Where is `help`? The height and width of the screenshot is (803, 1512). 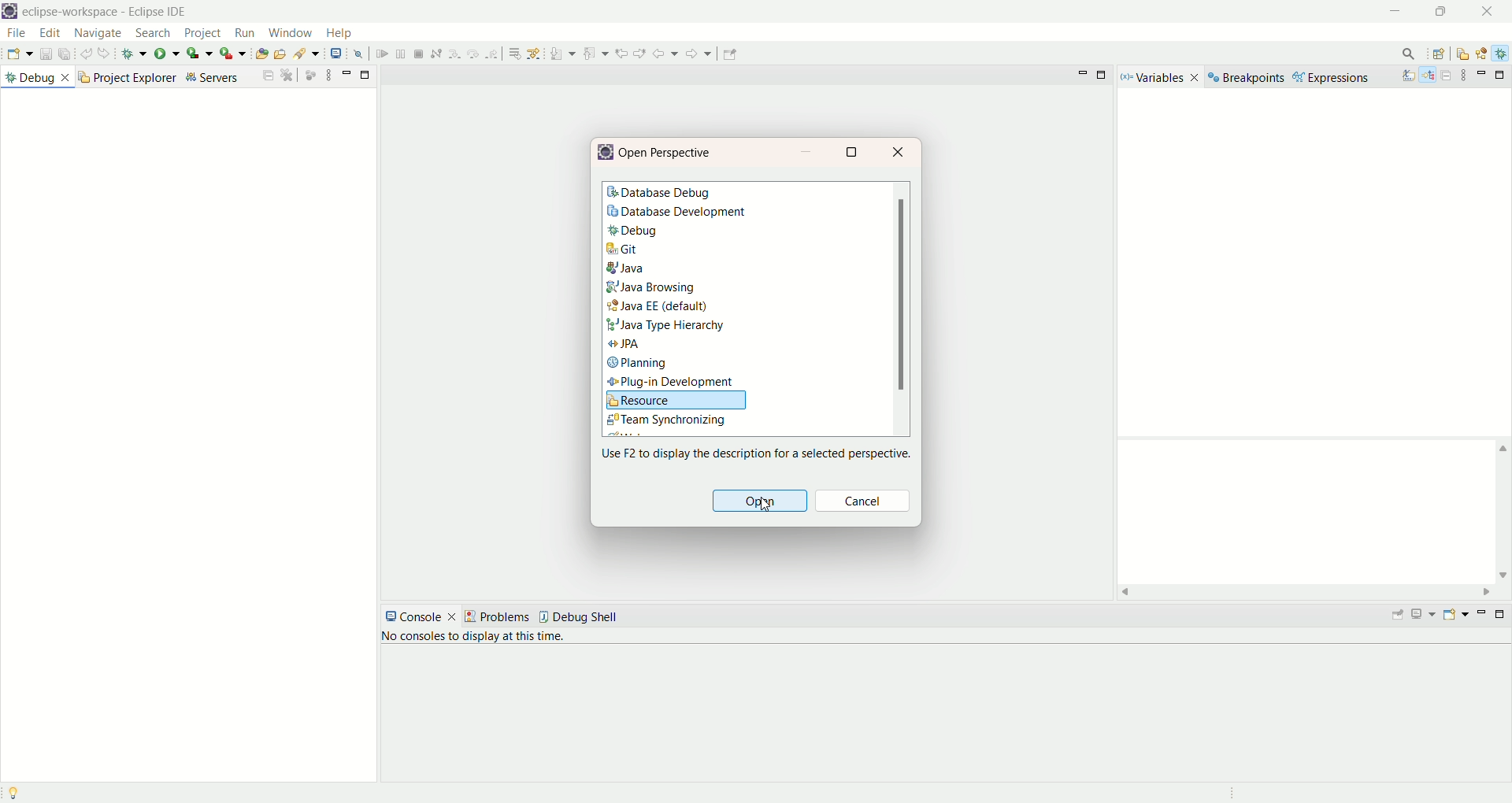 help is located at coordinates (340, 33).